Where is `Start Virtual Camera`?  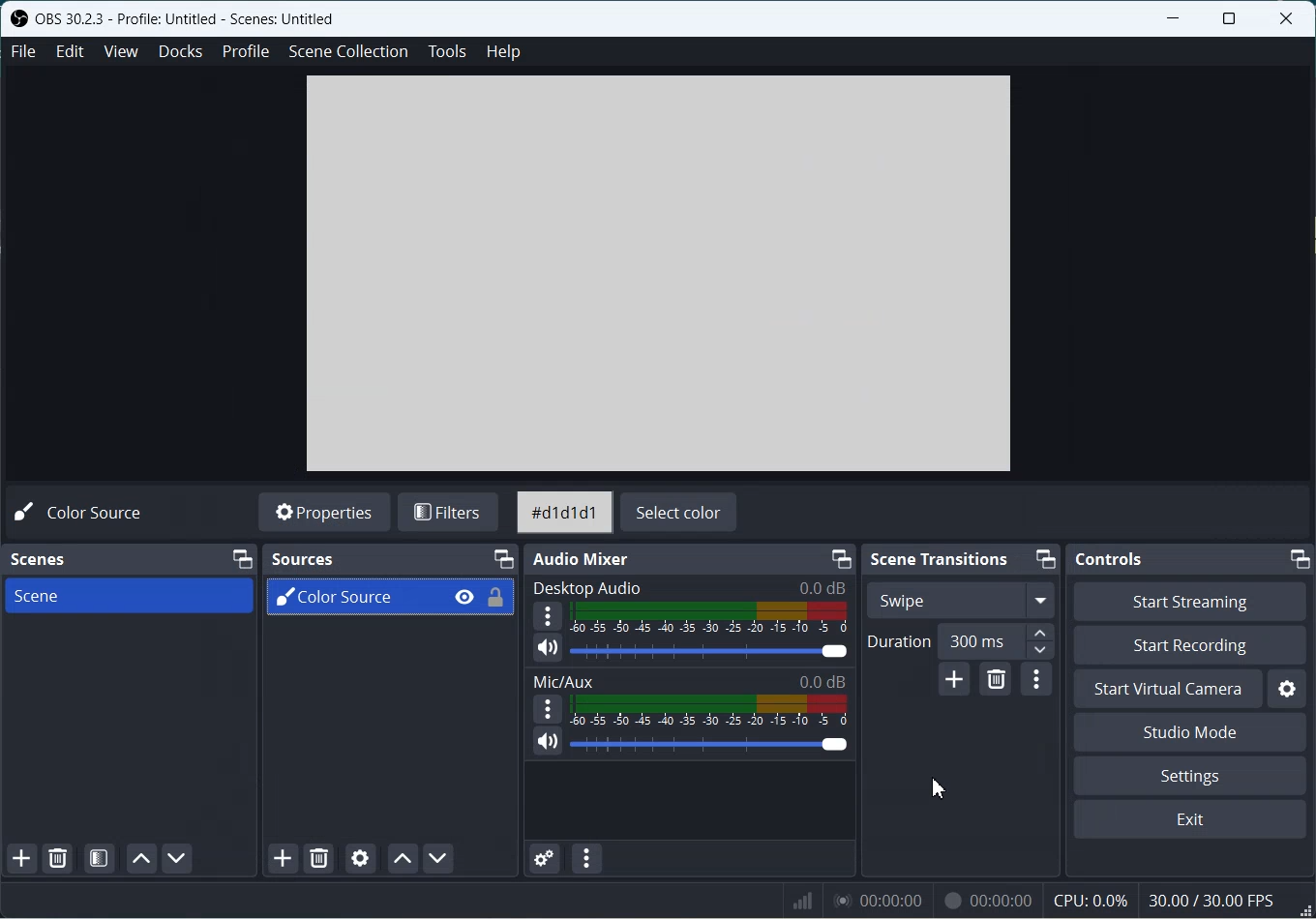 Start Virtual Camera is located at coordinates (1167, 690).